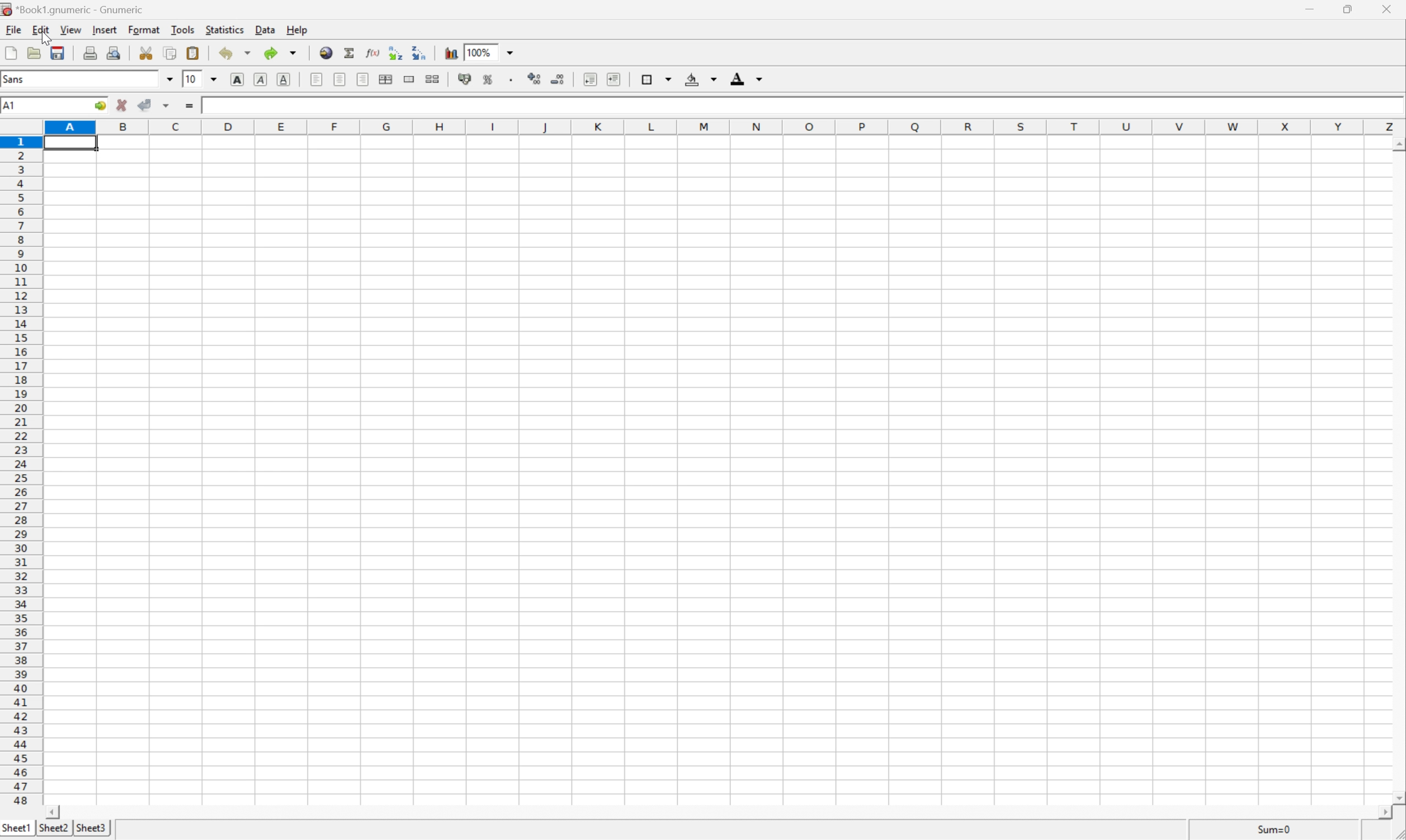 The height and width of the screenshot is (840, 1406). Describe the element at coordinates (46, 32) in the screenshot. I see `Cursor on edit` at that location.